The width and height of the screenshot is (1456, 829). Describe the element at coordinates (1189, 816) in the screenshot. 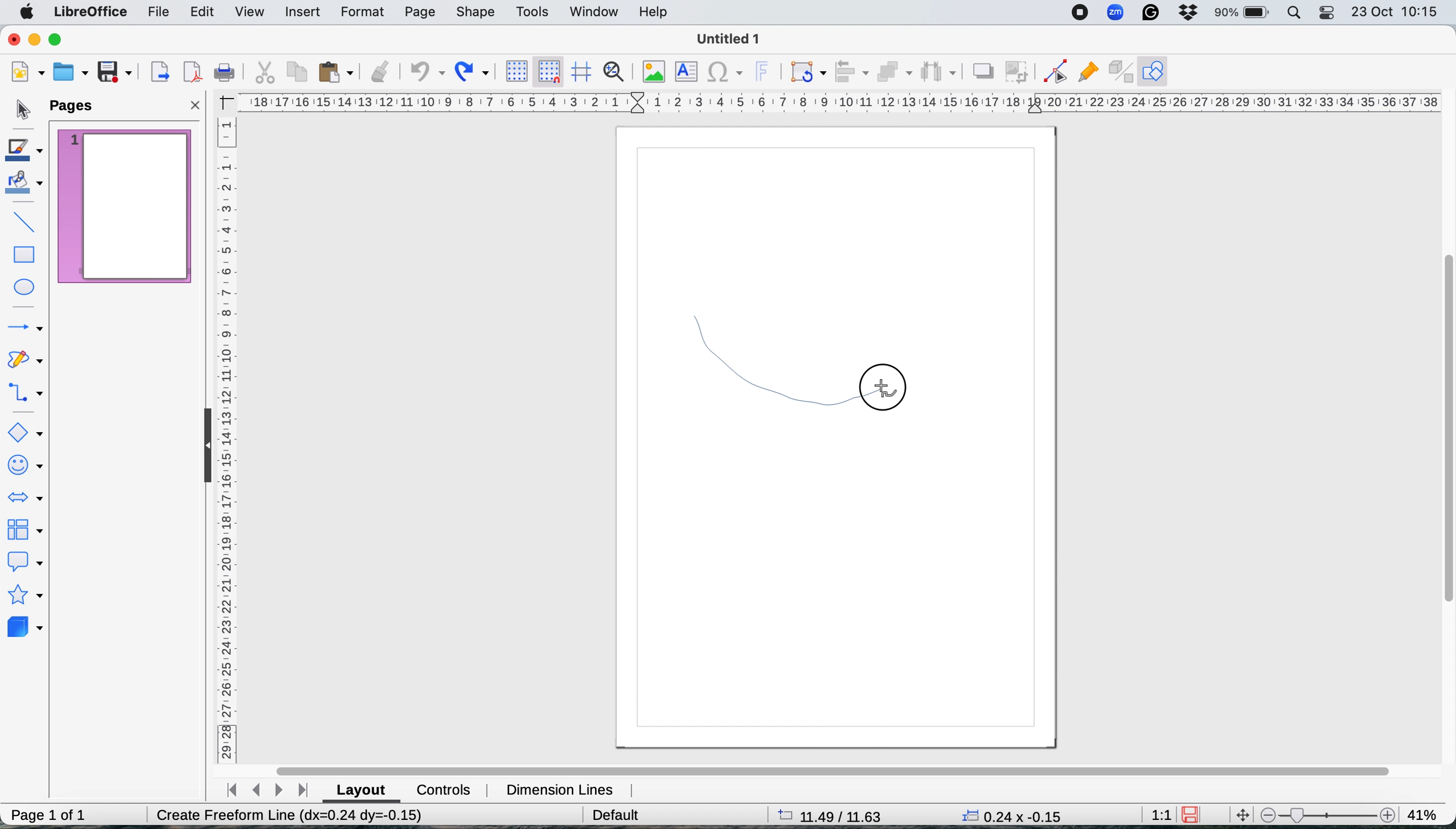

I see `save` at that location.